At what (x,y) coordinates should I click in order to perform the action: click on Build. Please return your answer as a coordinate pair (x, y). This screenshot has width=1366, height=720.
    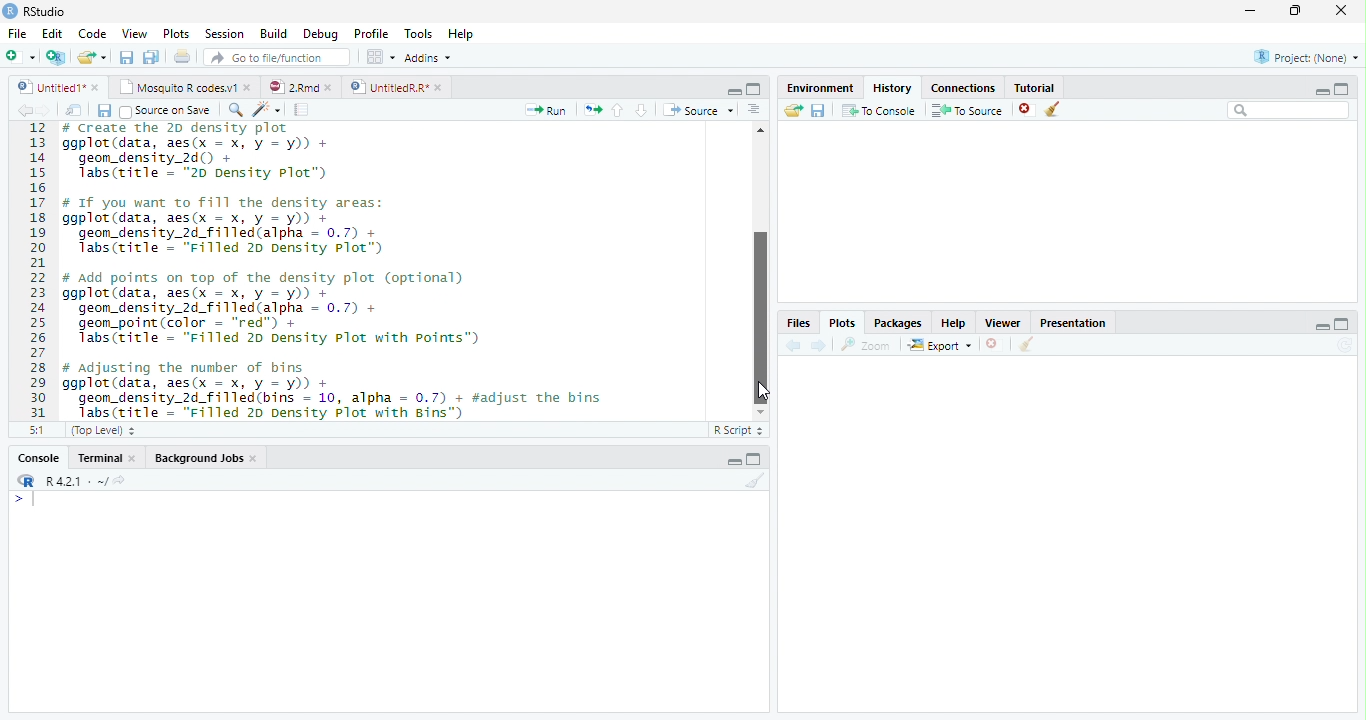
    Looking at the image, I should click on (273, 33).